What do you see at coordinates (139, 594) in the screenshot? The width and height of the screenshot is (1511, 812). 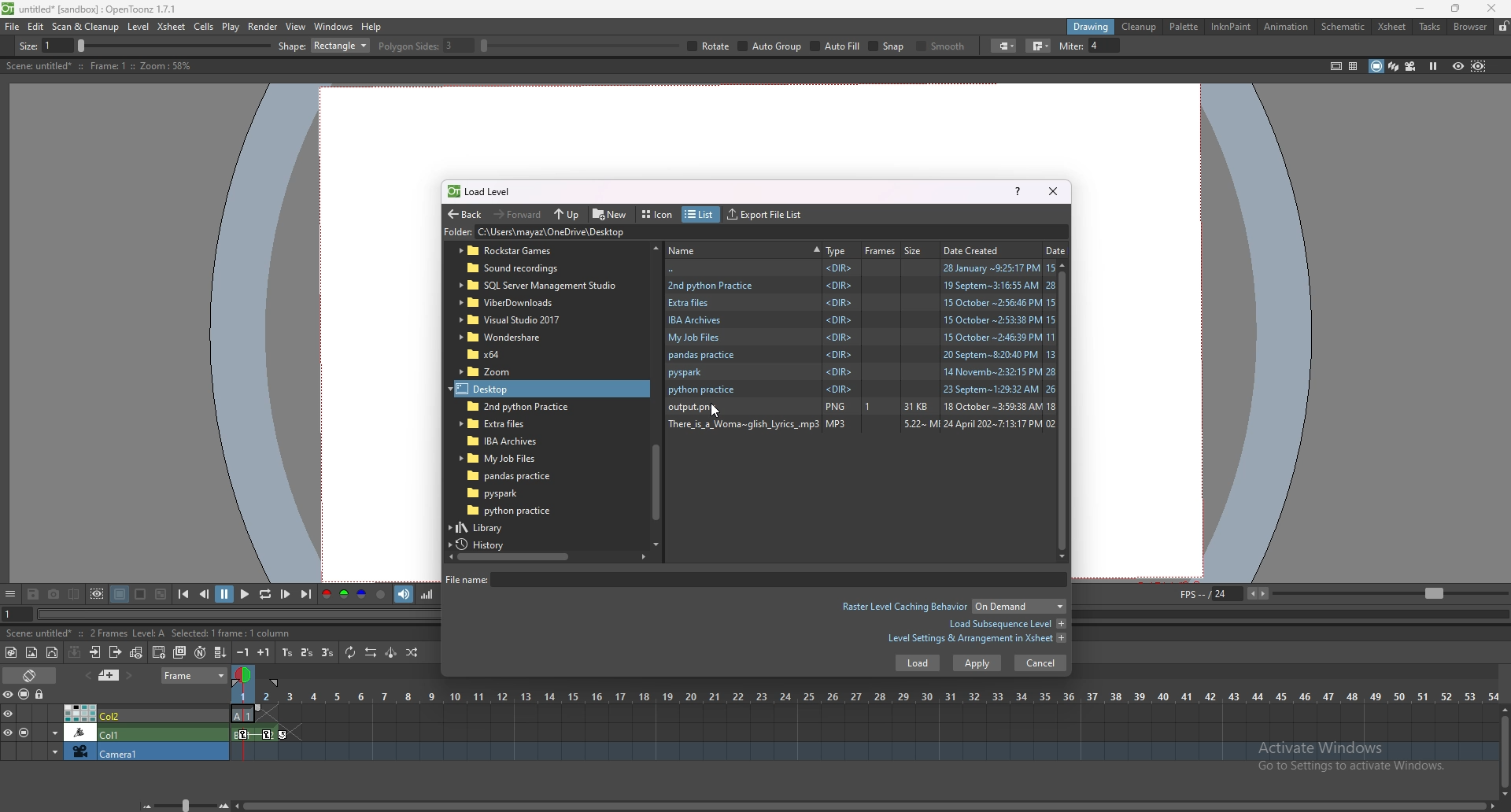 I see `white background` at bounding box center [139, 594].